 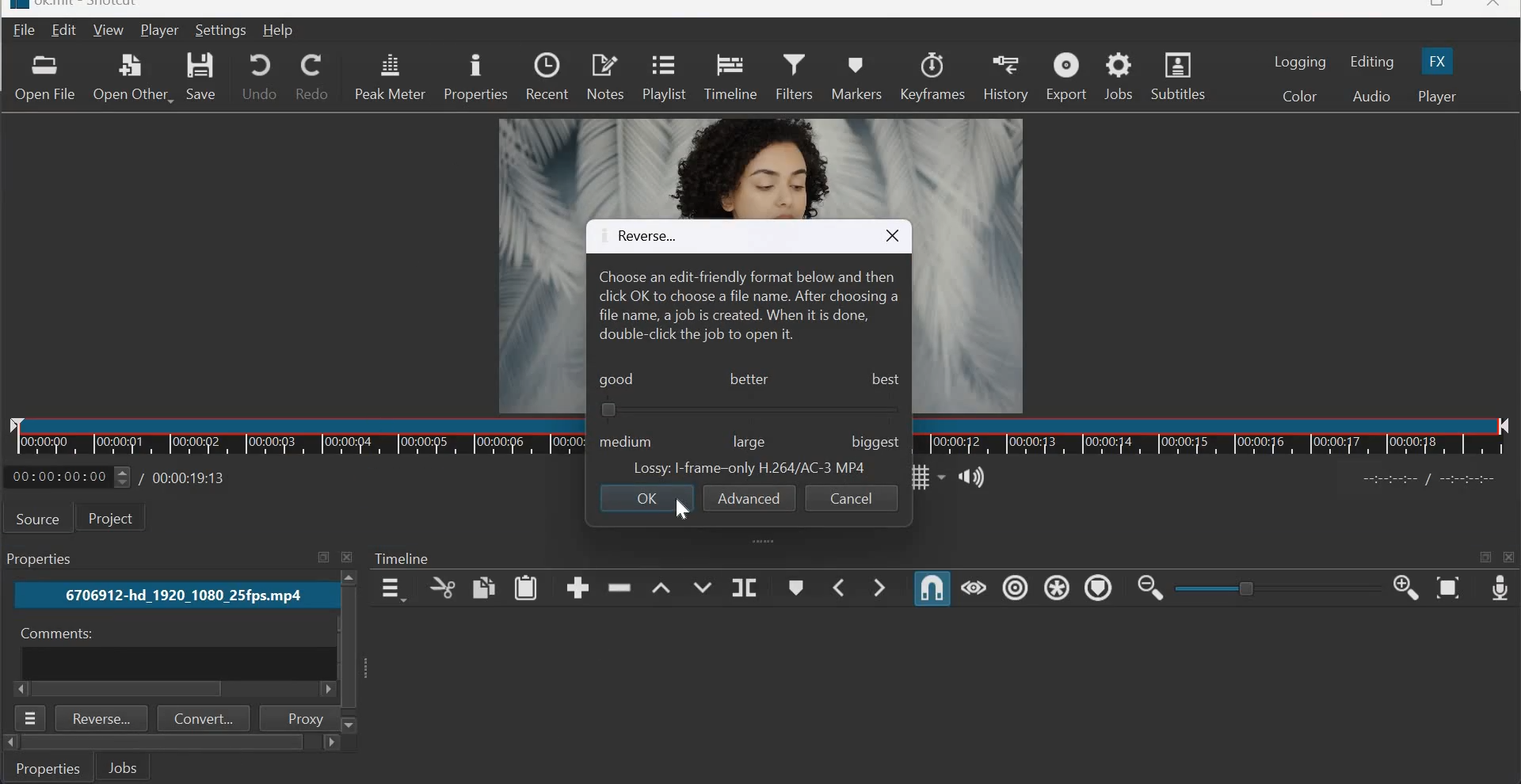 I want to click on large, so click(x=749, y=443).